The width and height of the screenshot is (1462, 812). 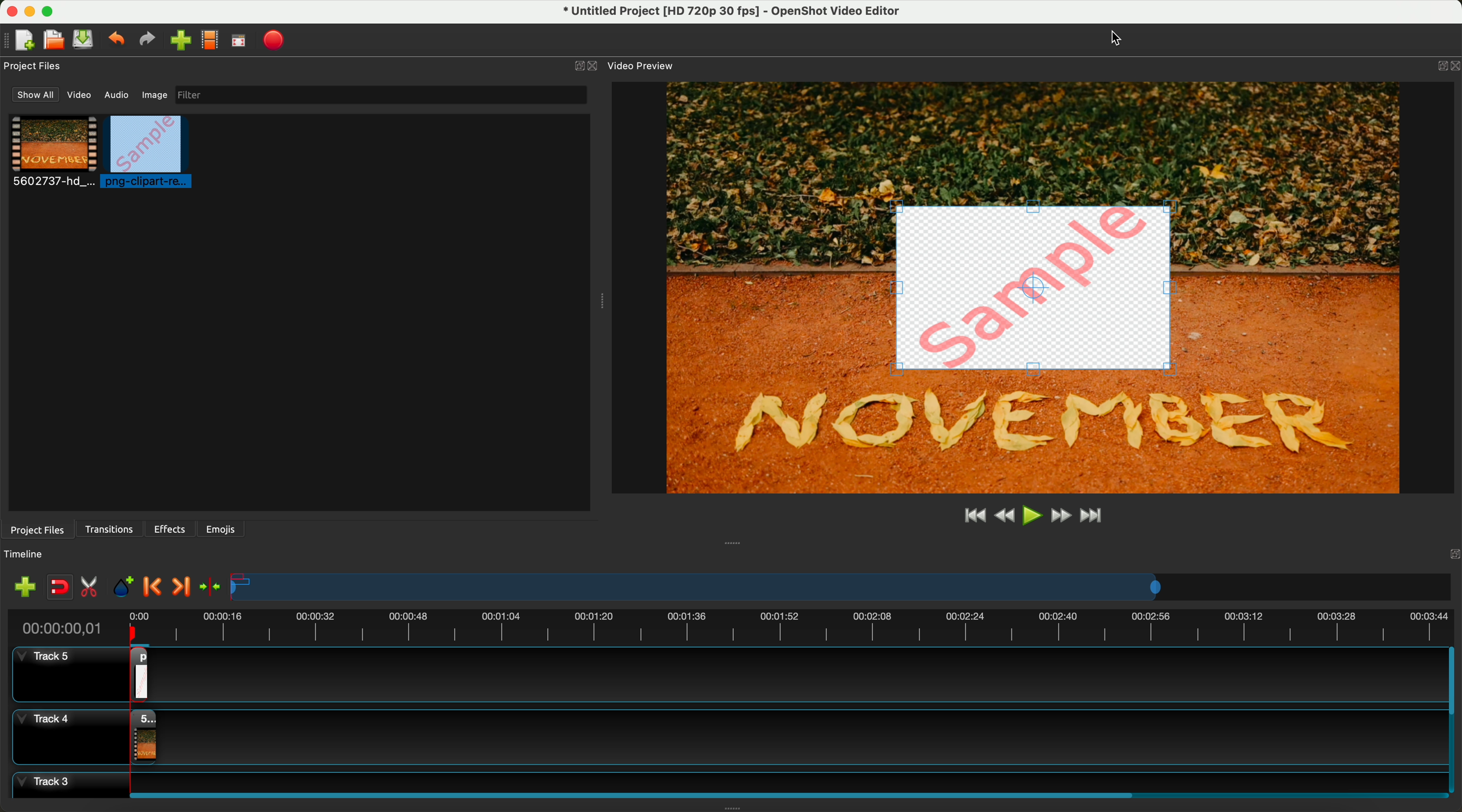 I want to click on BUTTON, so click(x=1439, y=63).